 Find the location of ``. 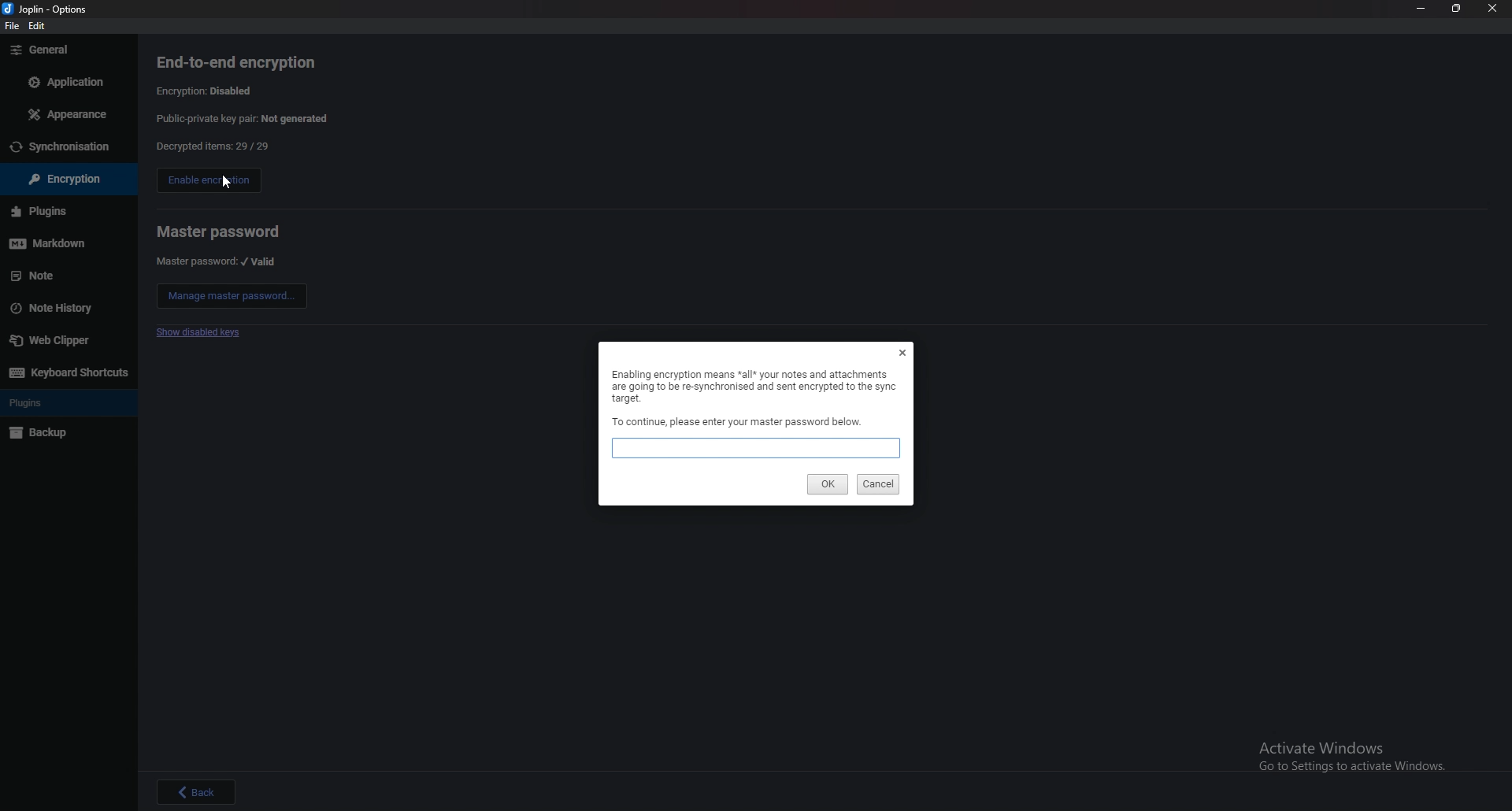

 is located at coordinates (55, 343).